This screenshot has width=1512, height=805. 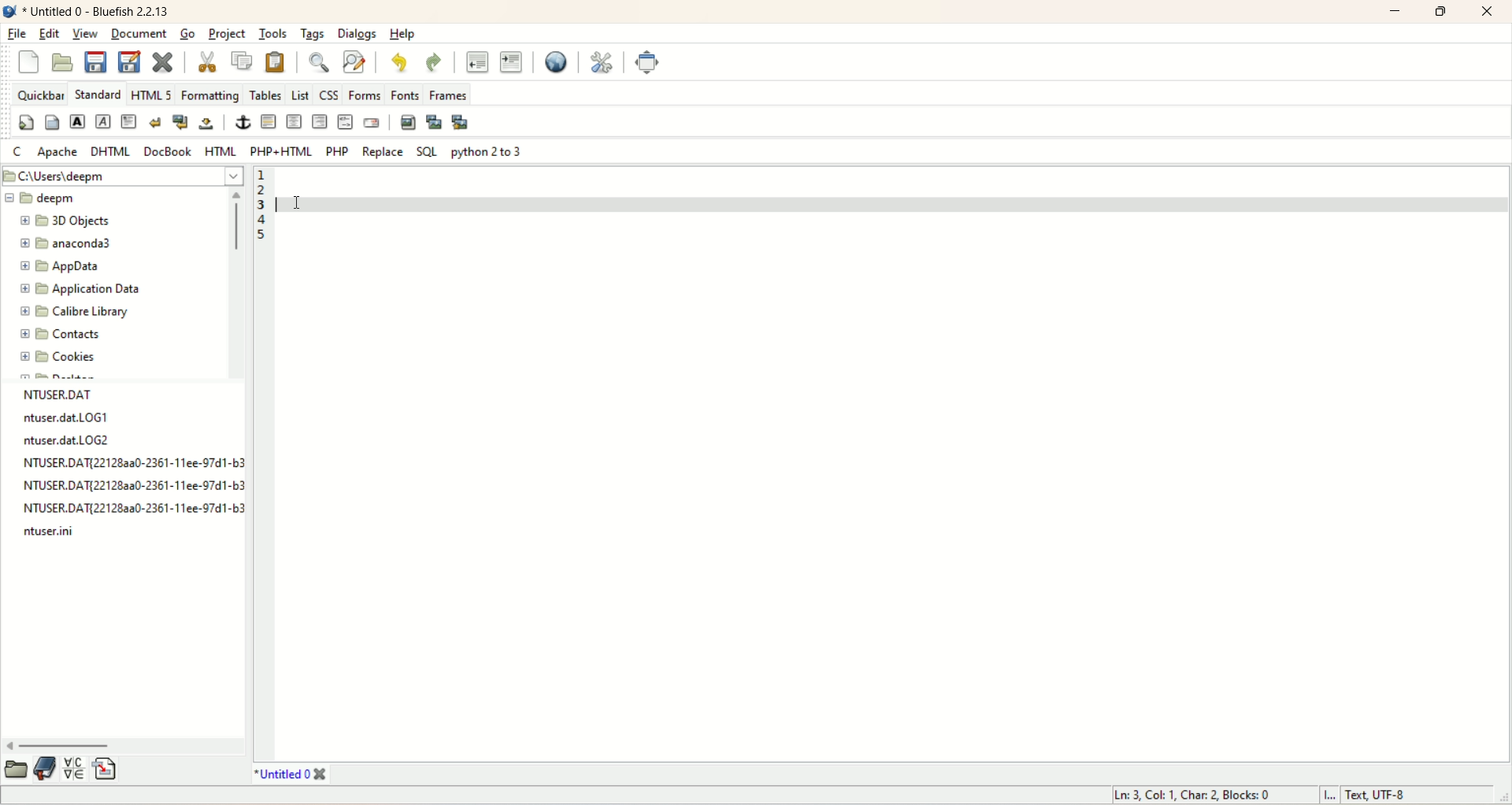 I want to click on document, so click(x=143, y=35).